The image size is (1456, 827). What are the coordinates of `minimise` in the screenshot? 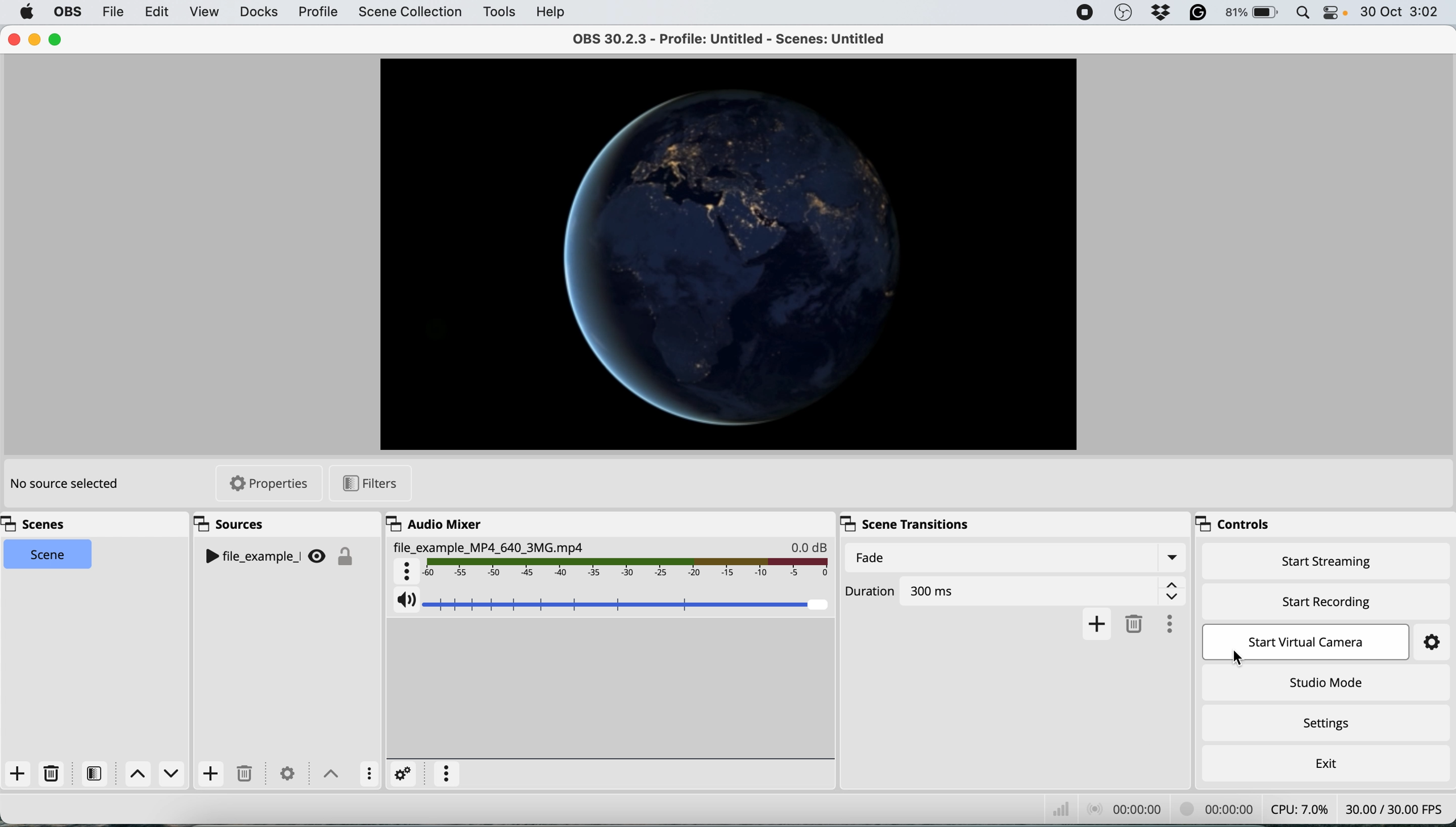 It's located at (34, 37).